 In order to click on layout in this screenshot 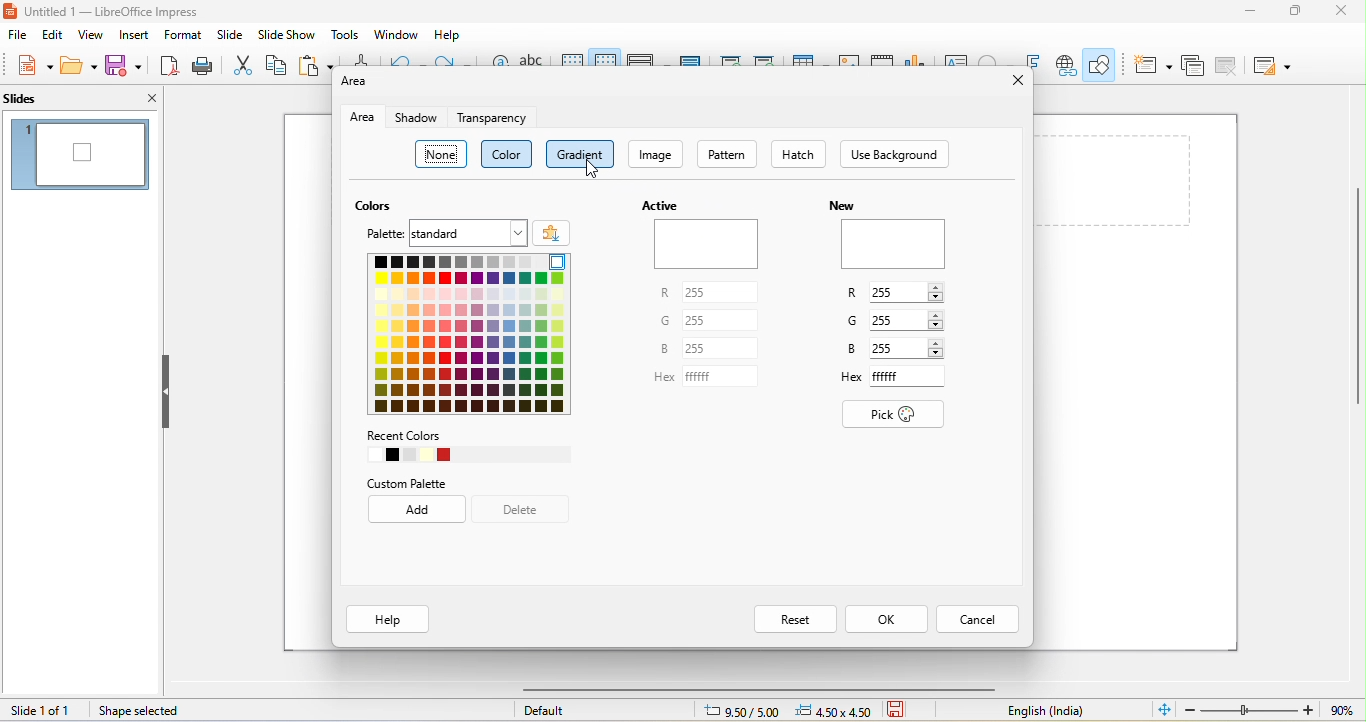, I will do `click(1273, 67)`.